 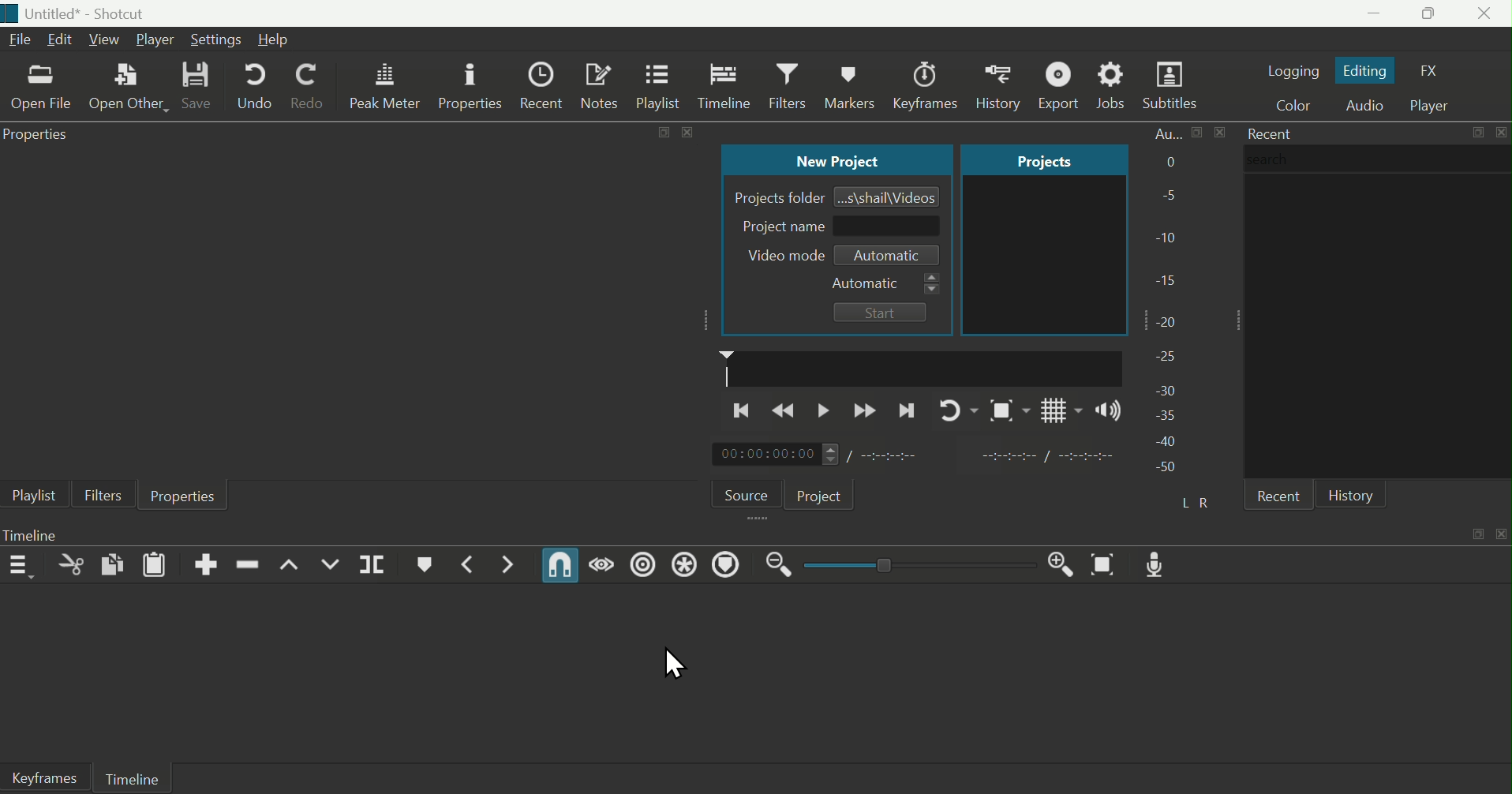 I want to click on Projects, so click(x=1029, y=159).